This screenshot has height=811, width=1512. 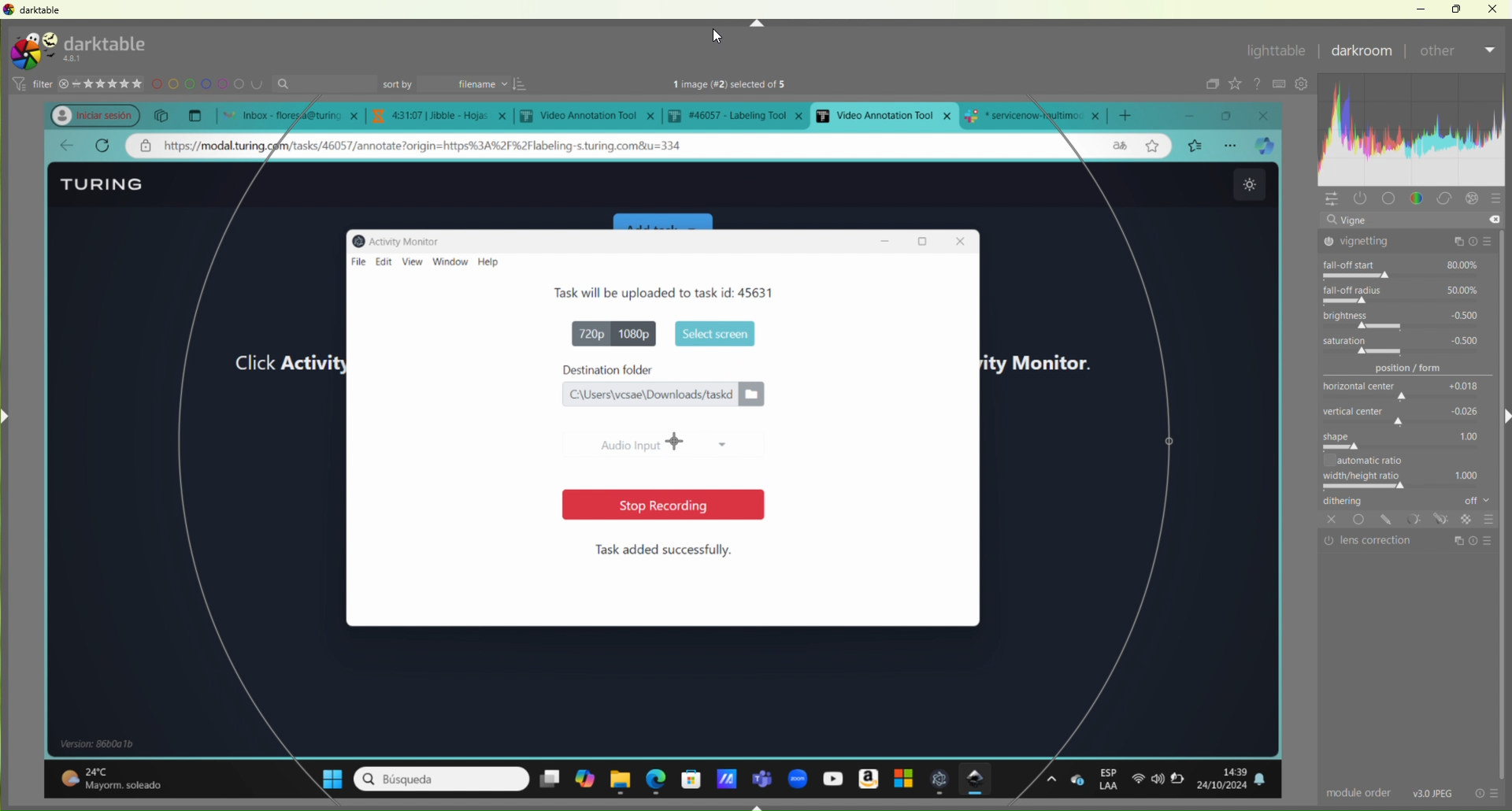 What do you see at coordinates (102, 146) in the screenshot?
I see `refresh` at bounding box center [102, 146].